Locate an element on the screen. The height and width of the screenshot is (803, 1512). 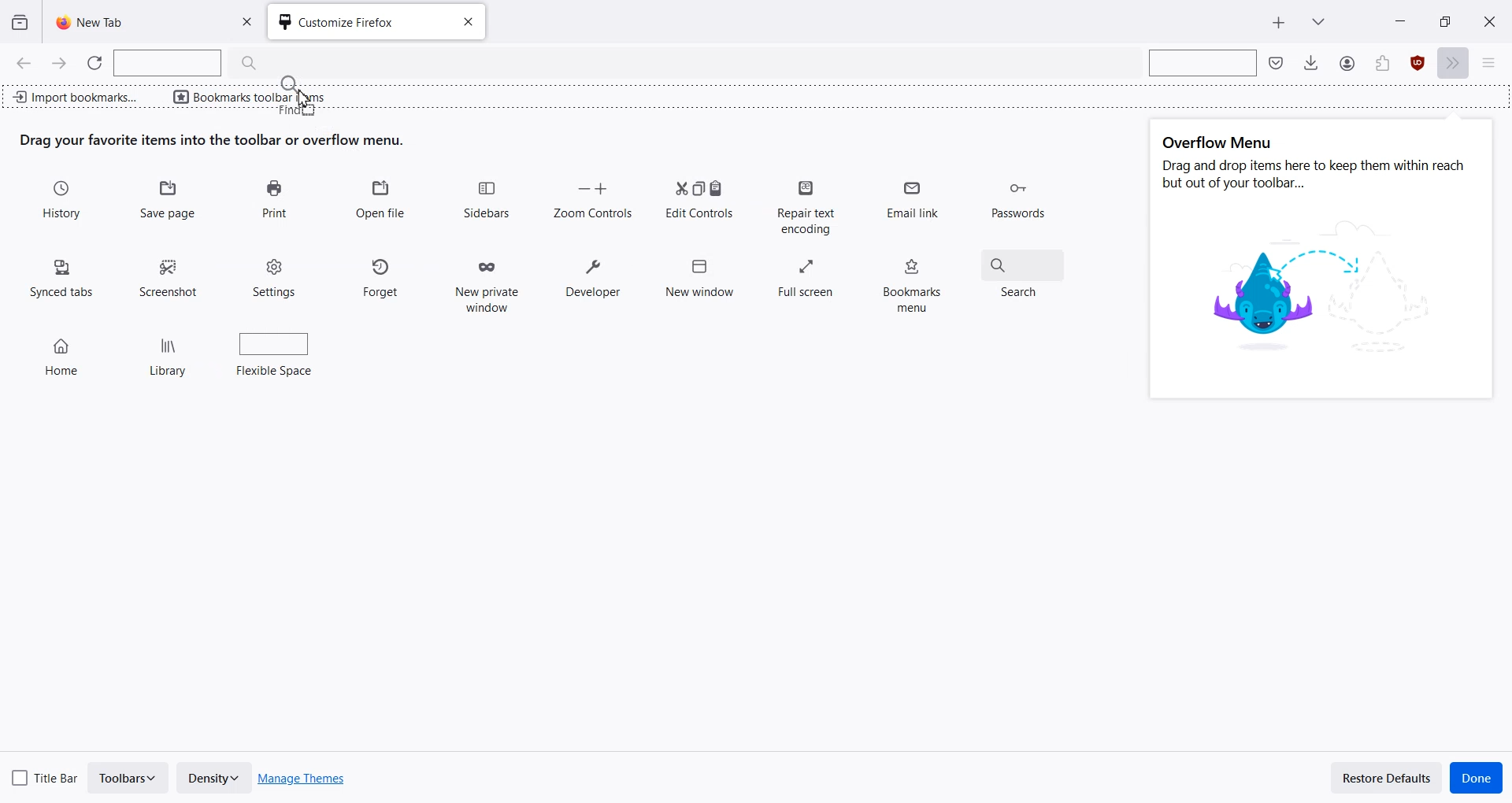
Open Application menu is located at coordinates (1495, 64).